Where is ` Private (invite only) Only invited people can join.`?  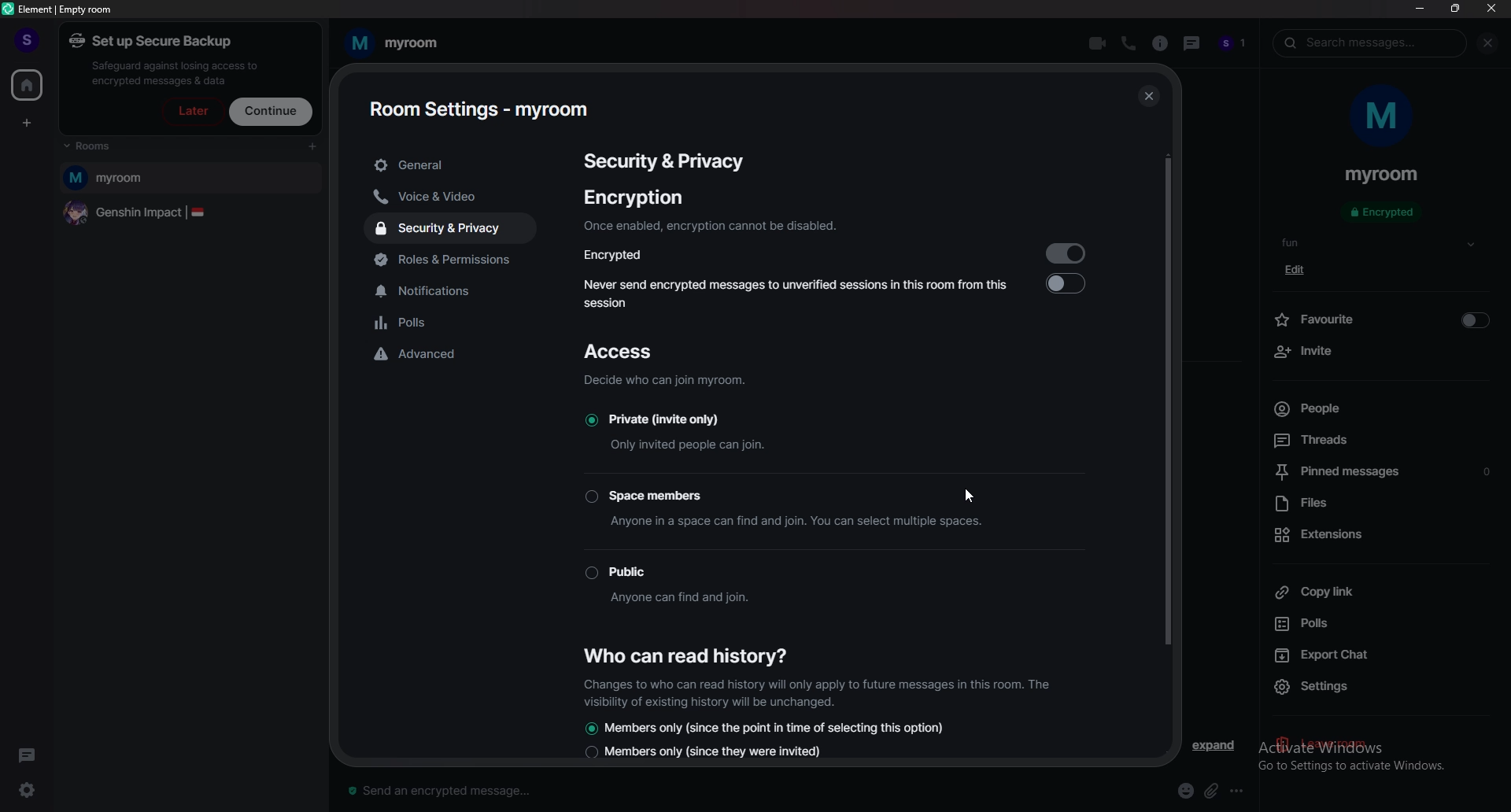  Private (invite only) Only invited people can join. is located at coordinates (682, 432).